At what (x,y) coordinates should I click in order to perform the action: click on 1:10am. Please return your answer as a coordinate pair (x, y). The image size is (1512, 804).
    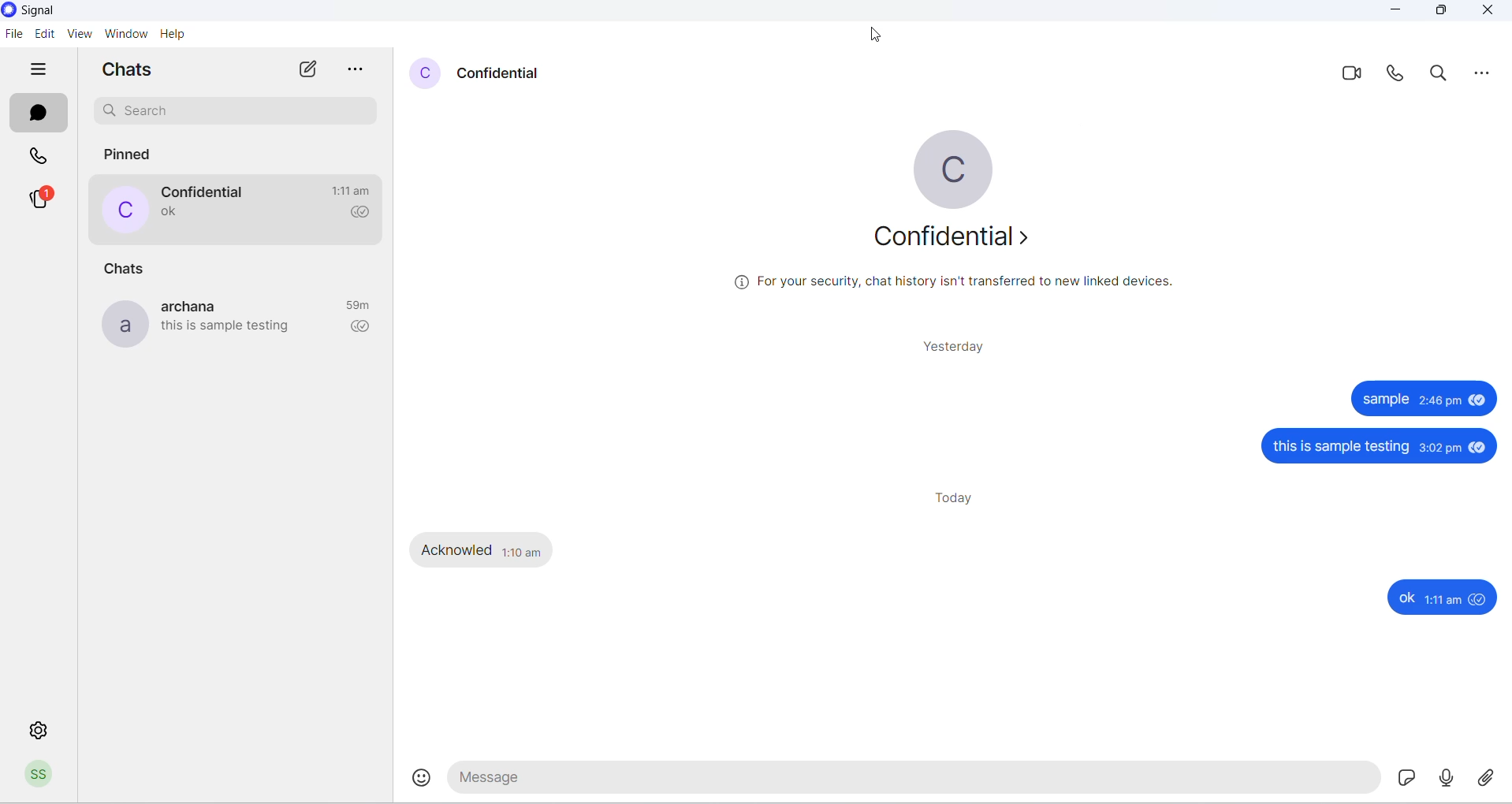
    Looking at the image, I should click on (521, 549).